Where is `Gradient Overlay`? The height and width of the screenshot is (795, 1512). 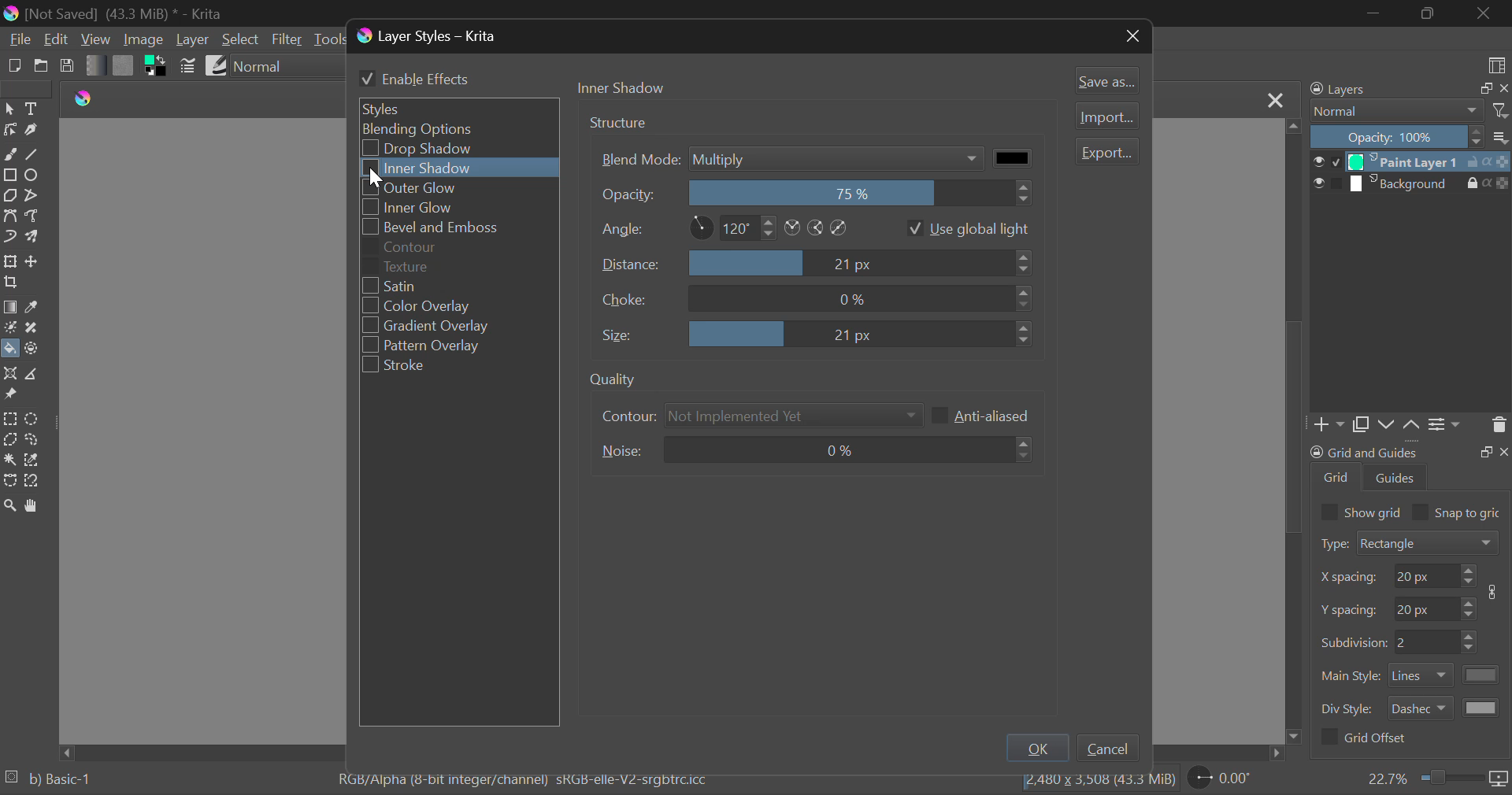
Gradient Overlay is located at coordinates (435, 326).